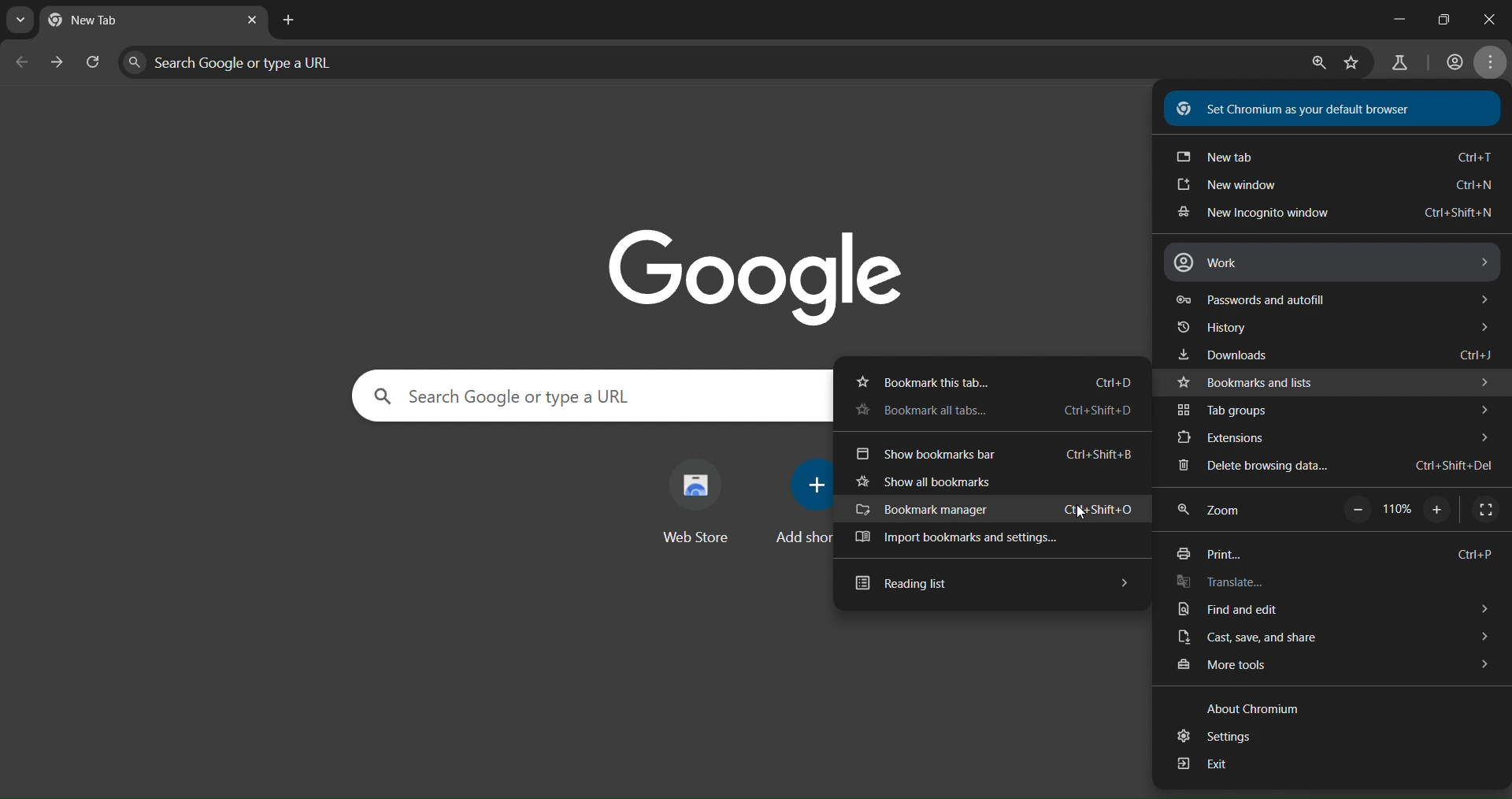  I want to click on settings, so click(1215, 737).